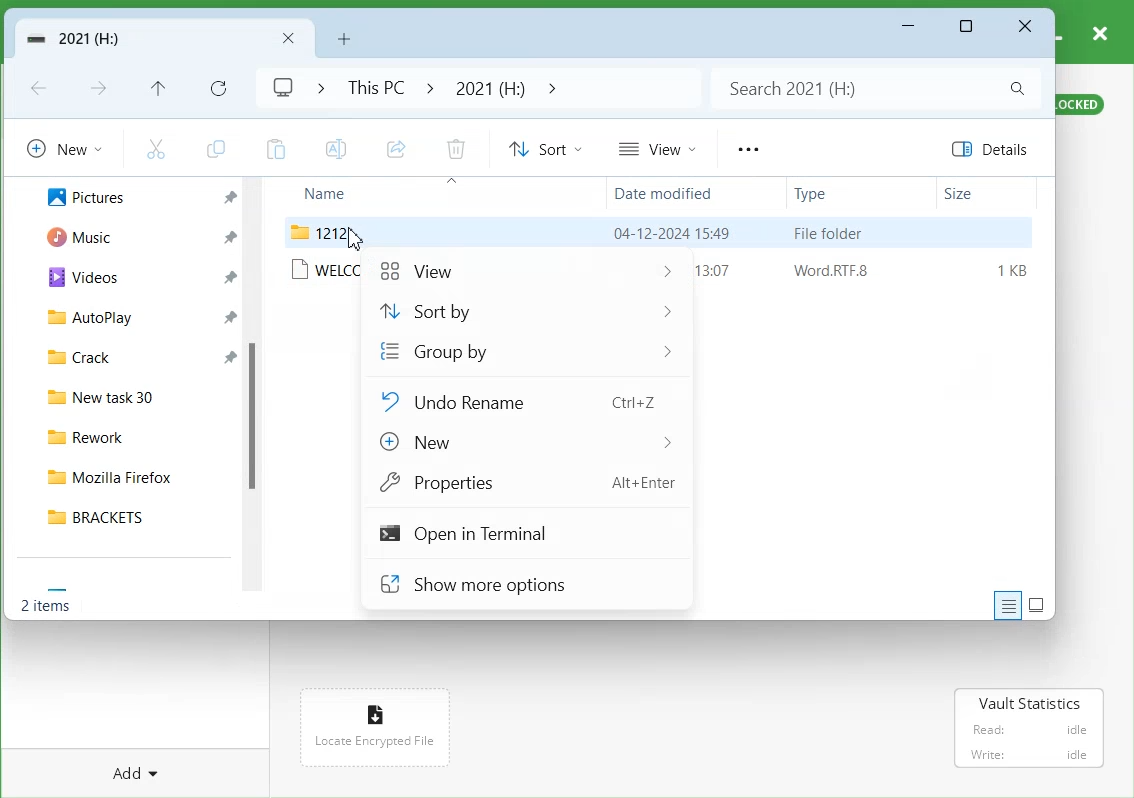  Describe the element at coordinates (228, 315) in the screenshot. I see `Pin a file` at that location.